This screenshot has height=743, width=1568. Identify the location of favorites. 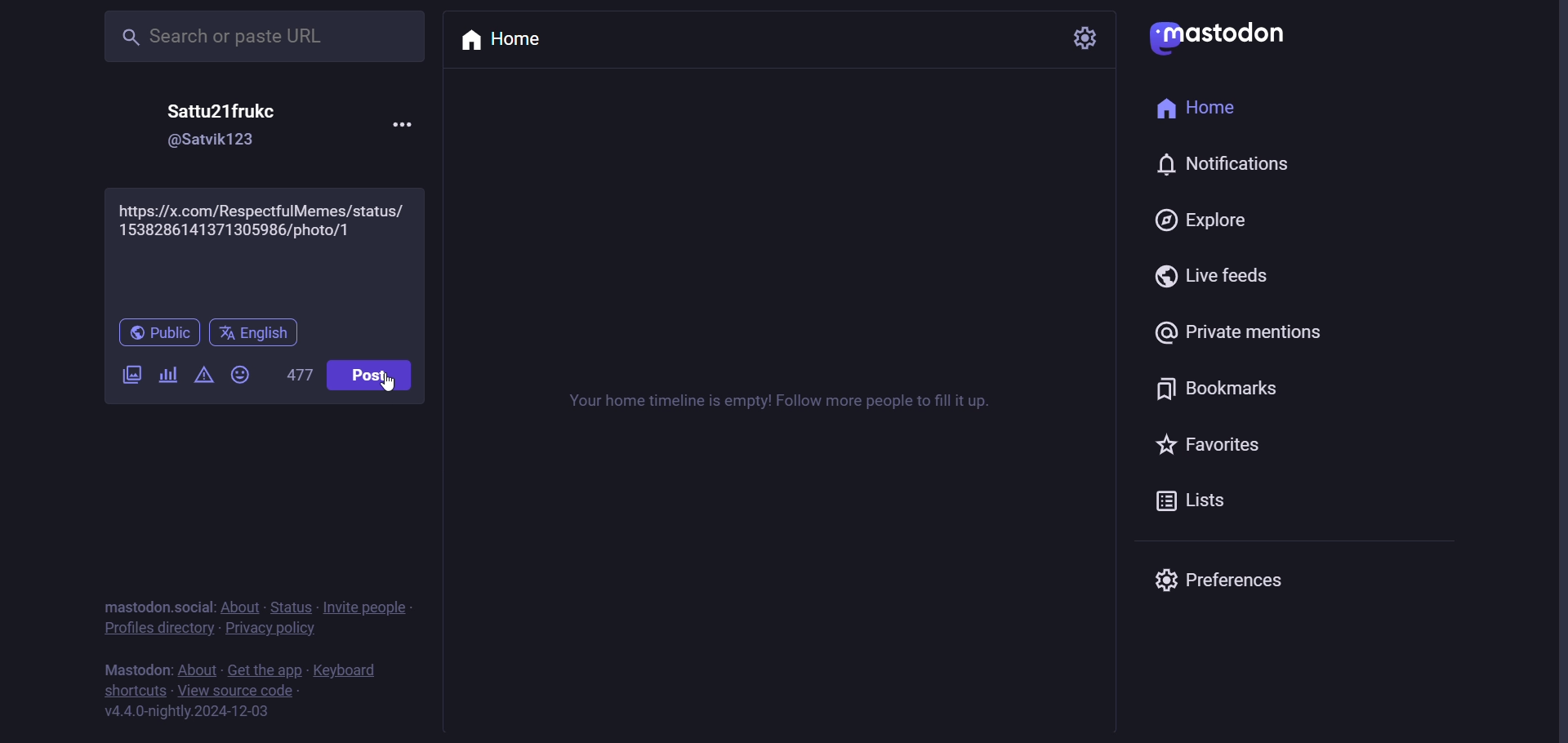
(1210, 447).